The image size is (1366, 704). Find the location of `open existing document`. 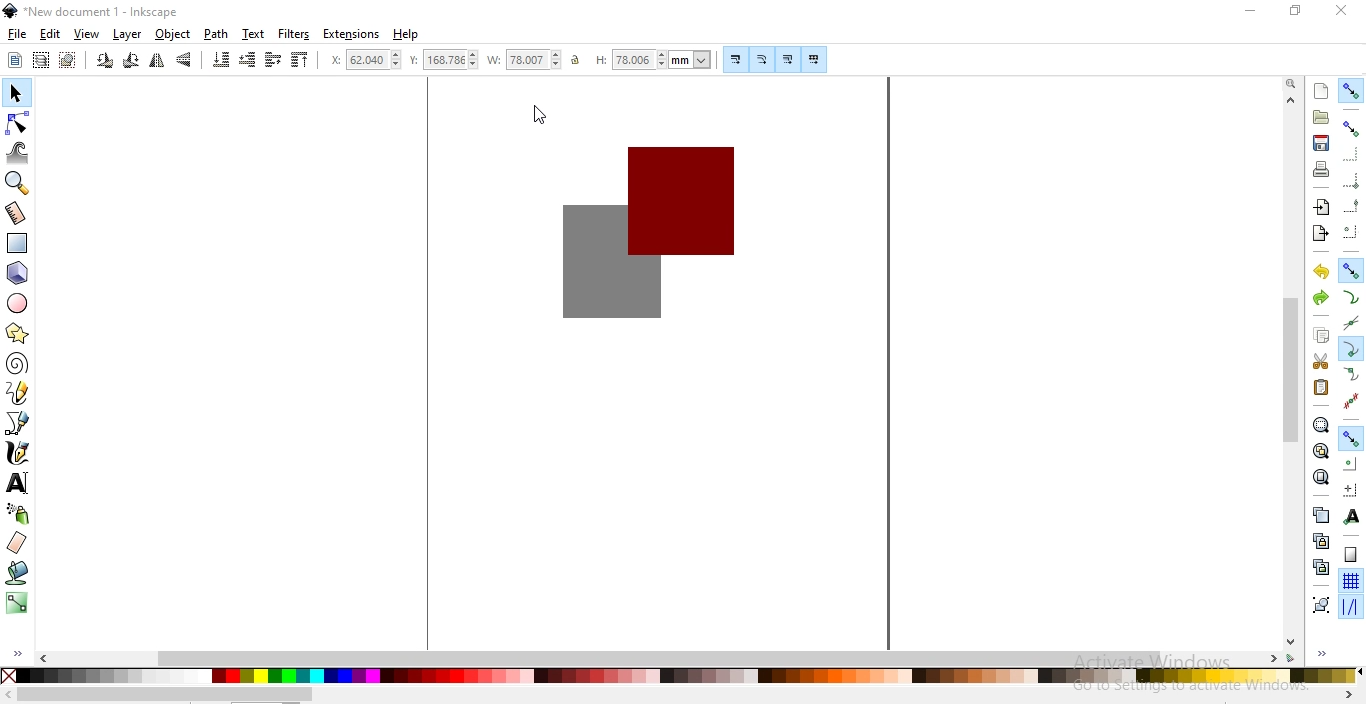

open existing document is located at coordinates (1321, 117).